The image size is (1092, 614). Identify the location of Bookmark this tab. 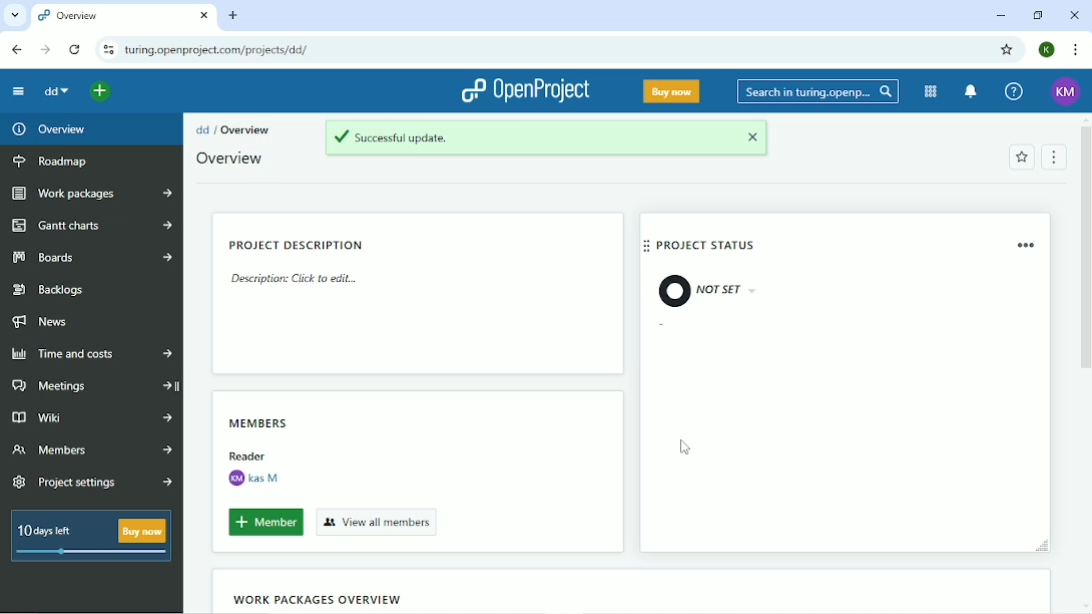
(1005, 49).